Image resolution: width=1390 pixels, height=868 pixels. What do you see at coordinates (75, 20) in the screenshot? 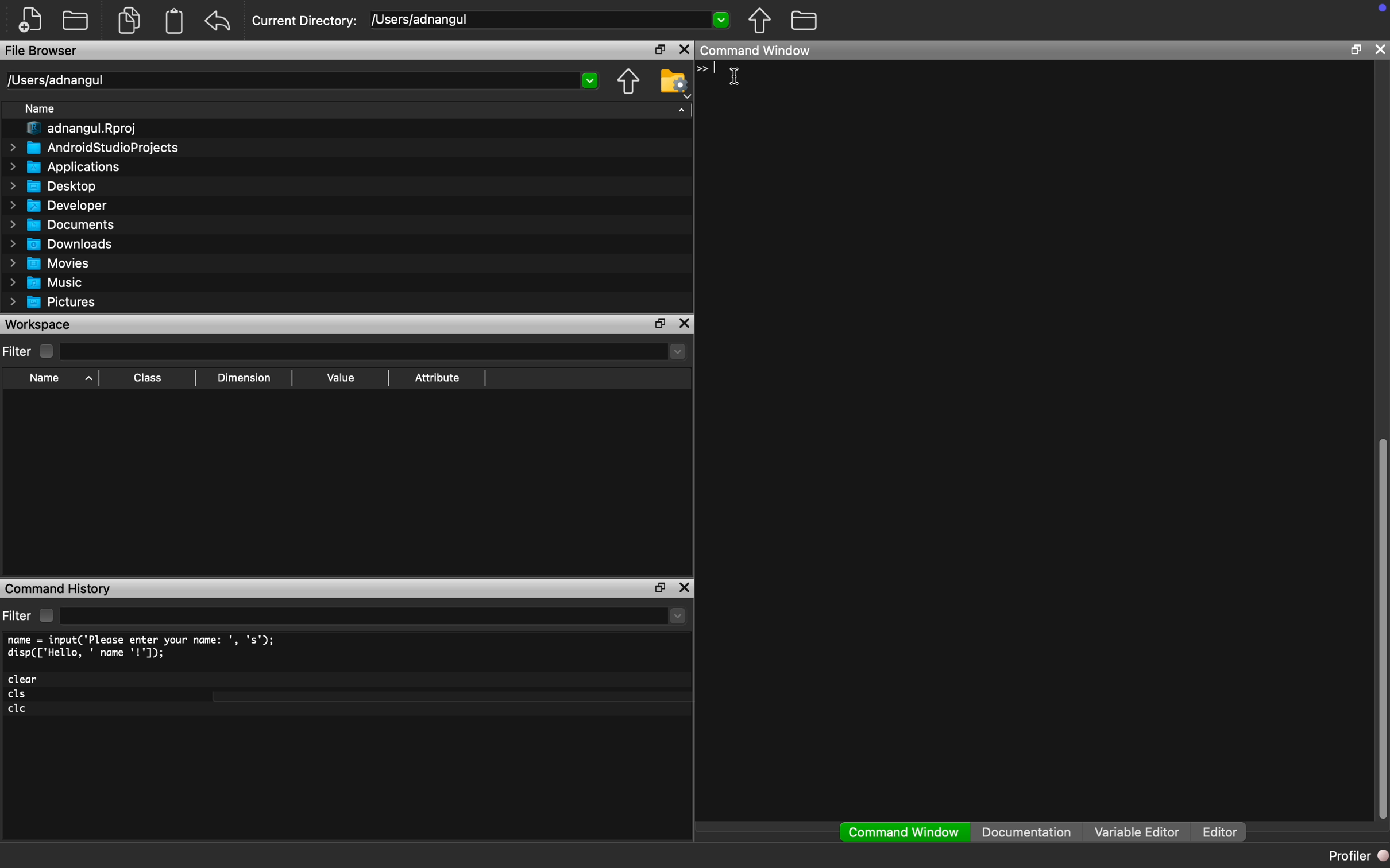
I see `Folder` at bounding box center [75, 20].